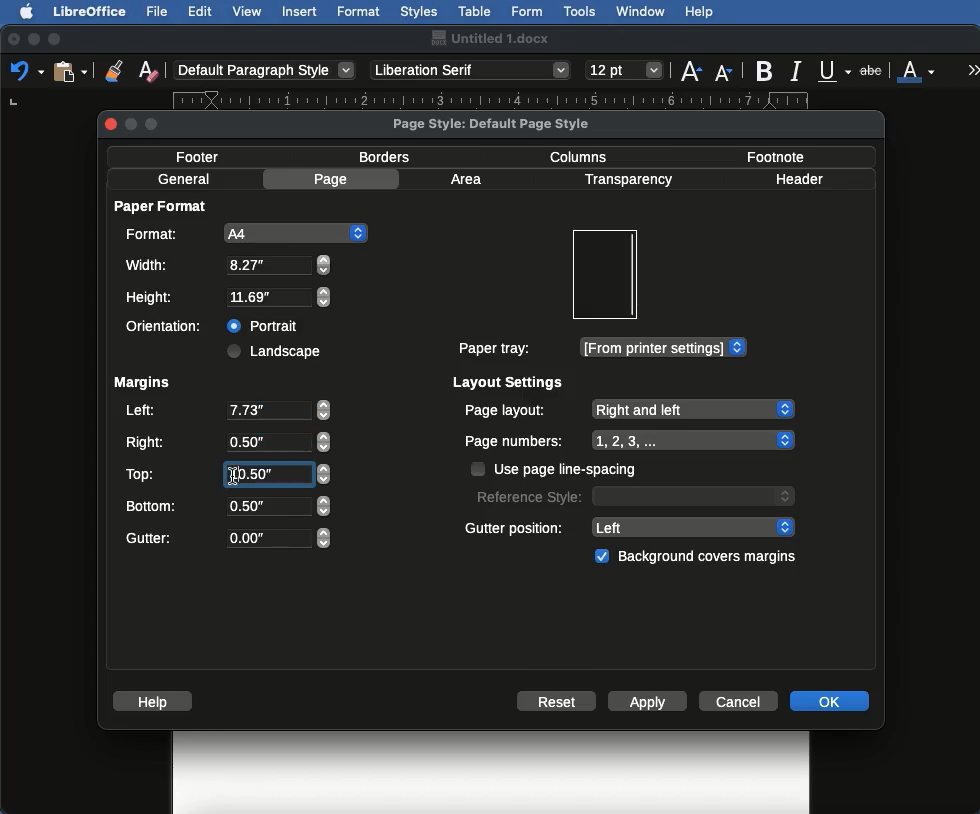  Describe the element at coordinates (386, 157) in the screenshot. I see `Borders` at that location.